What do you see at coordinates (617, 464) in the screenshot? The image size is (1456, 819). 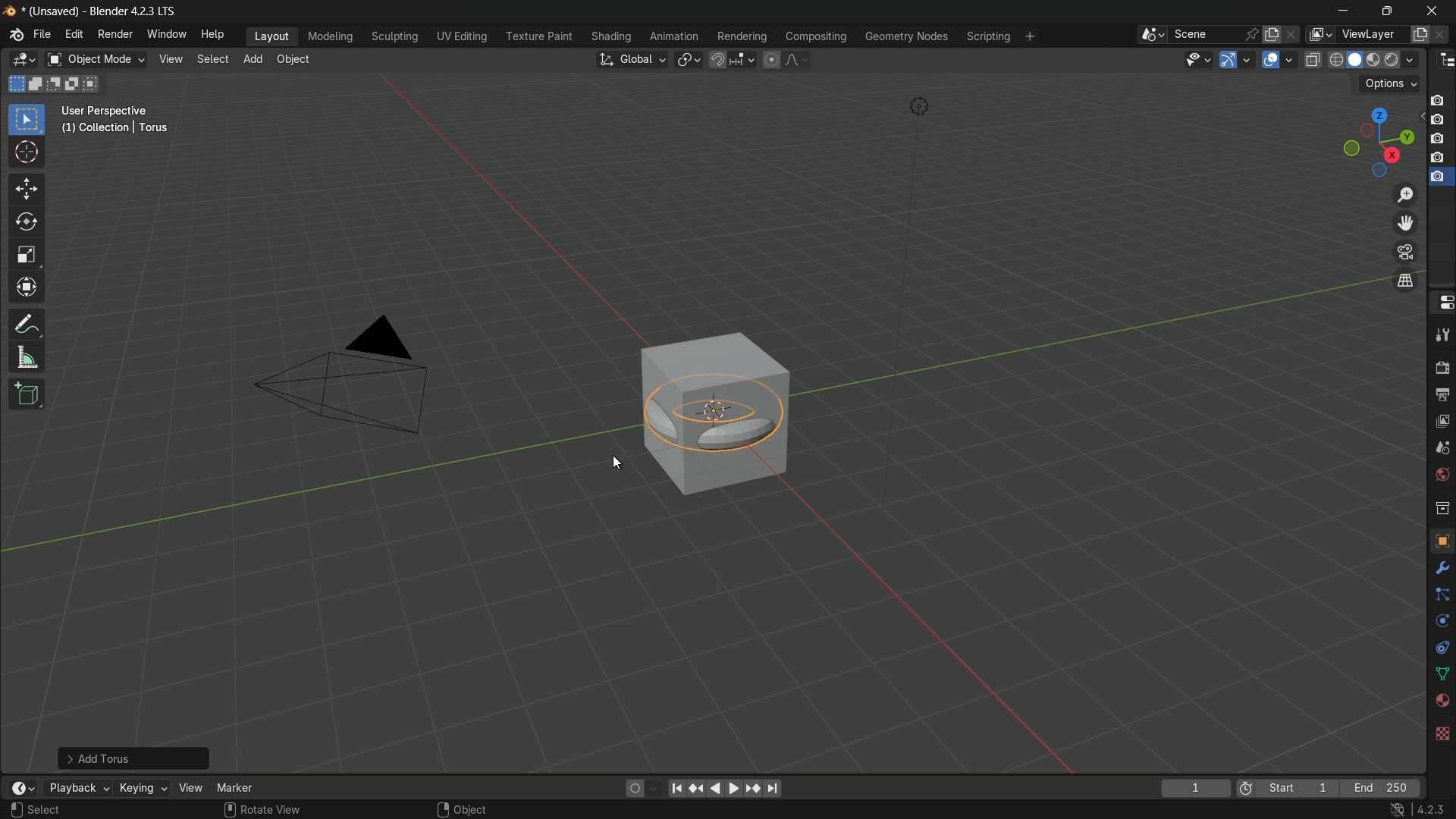 I see `cursor` at bounding box center [617, 464].